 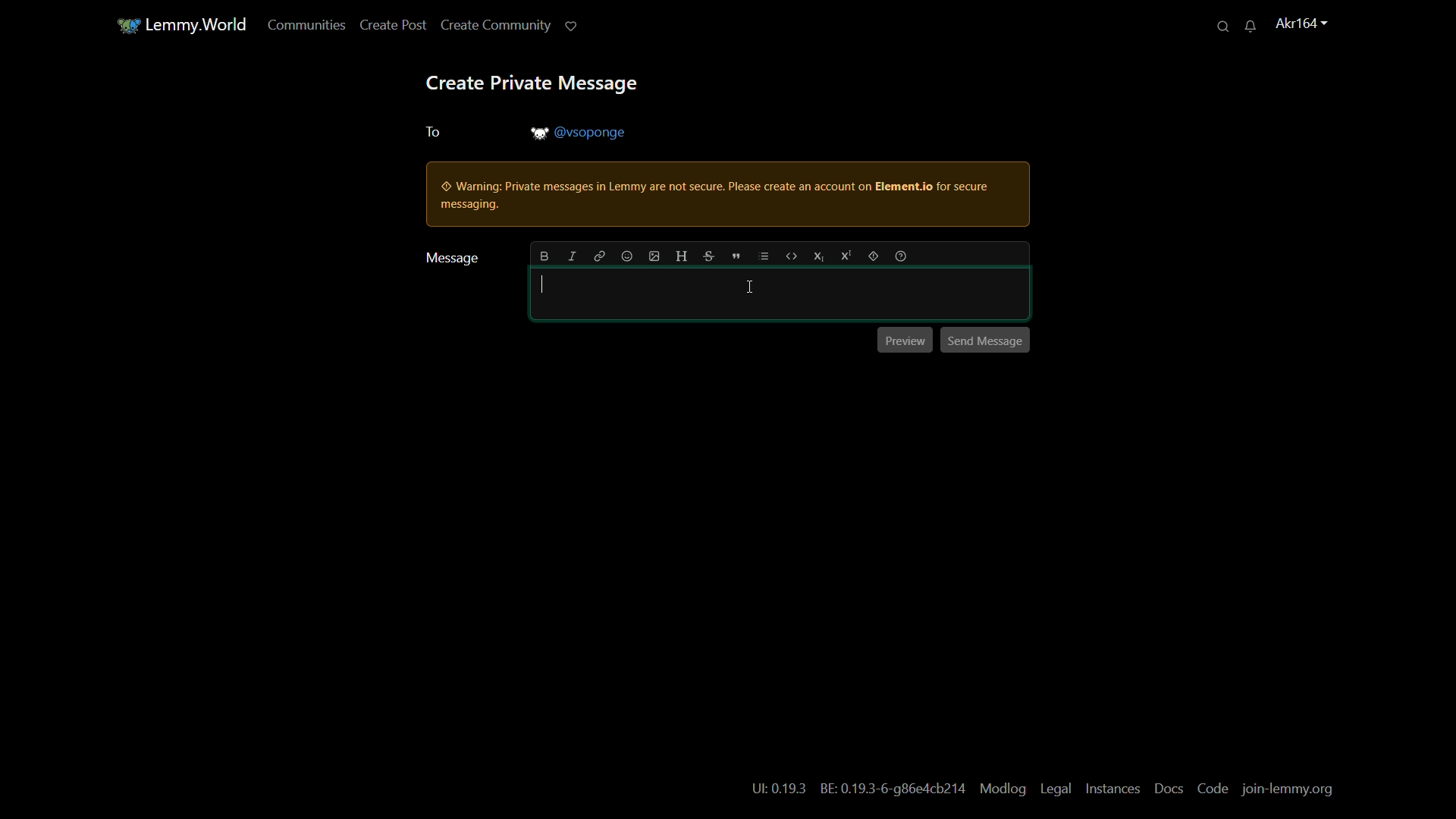 What do you see at coordinates (572, 257) in the screenshot?
I see `italic` at bounding box center [572, 257].